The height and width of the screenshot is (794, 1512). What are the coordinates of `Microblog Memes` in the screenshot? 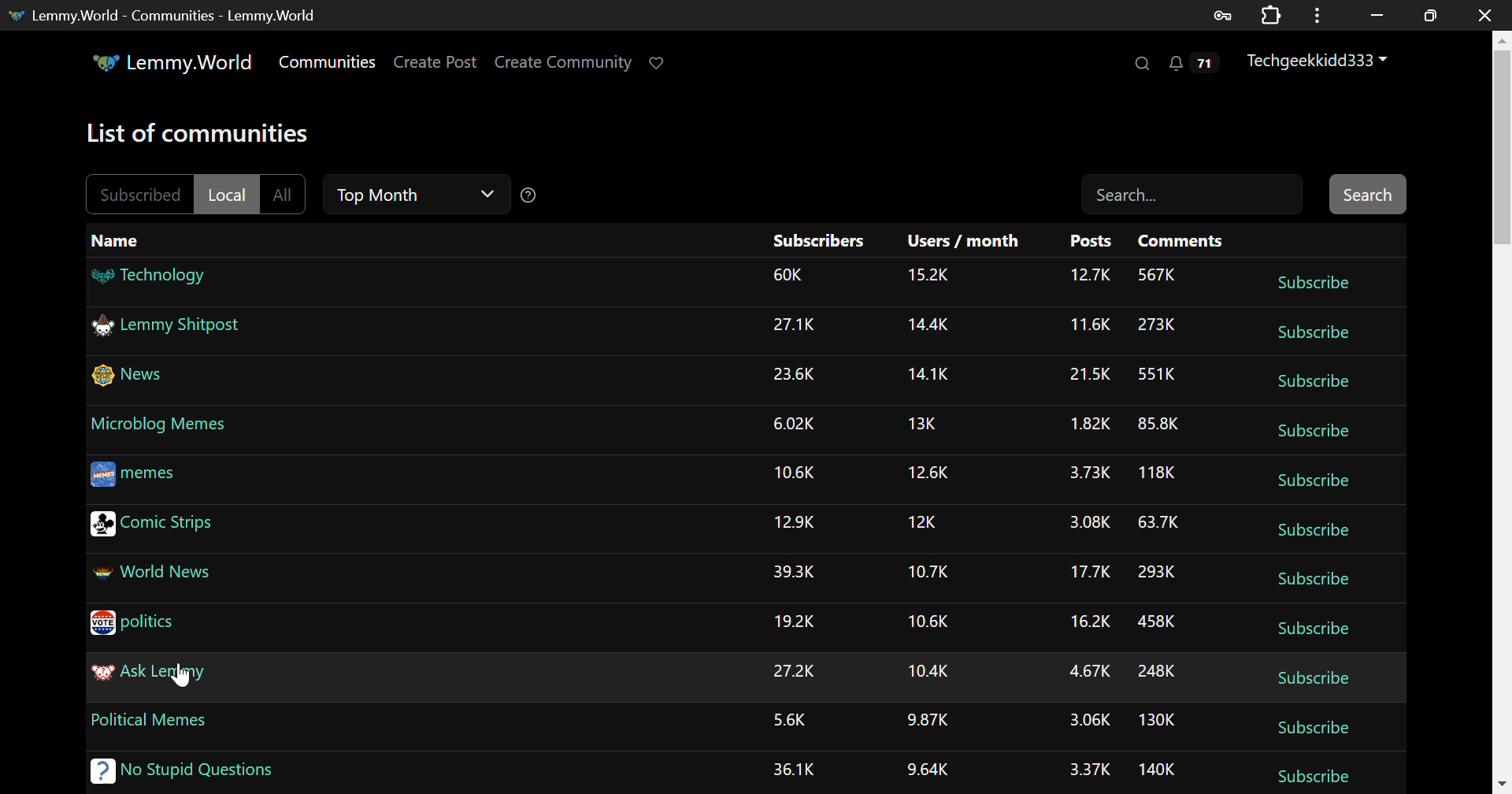 It's located at (165, 422).